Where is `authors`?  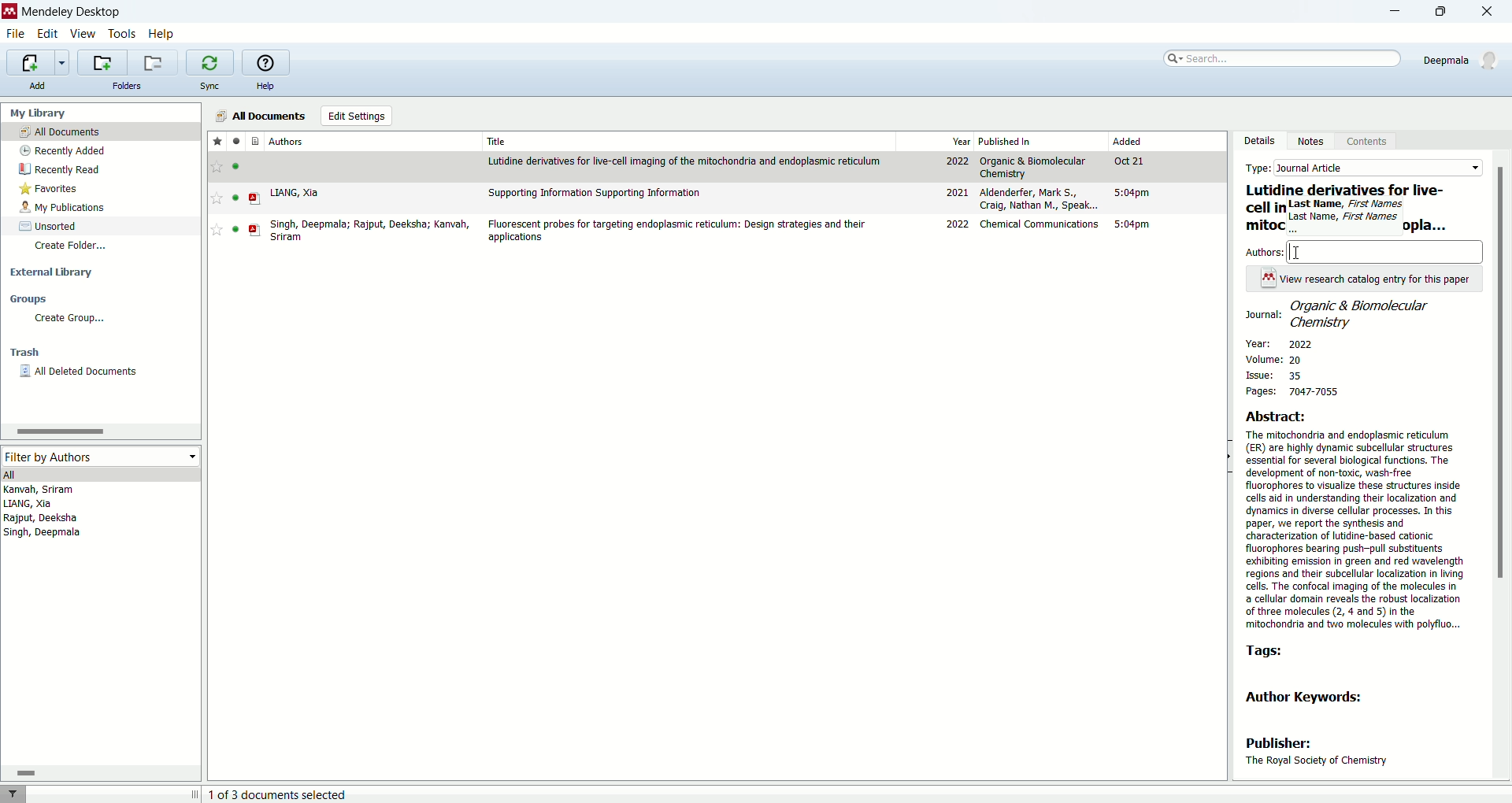
authors is located at coordinates (287, 139).